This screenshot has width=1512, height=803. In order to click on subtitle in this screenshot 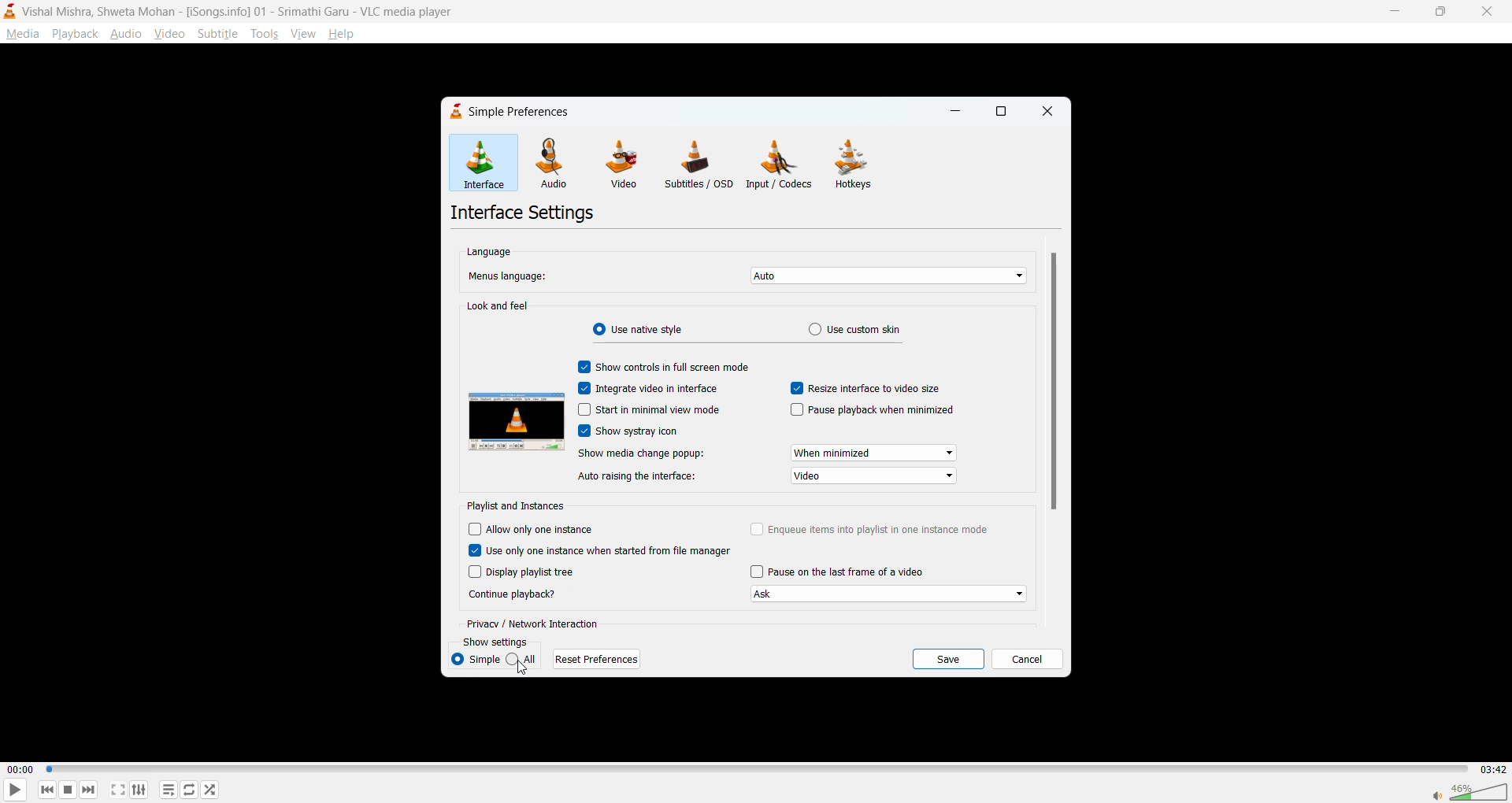, I will do `click(218, 33)`.